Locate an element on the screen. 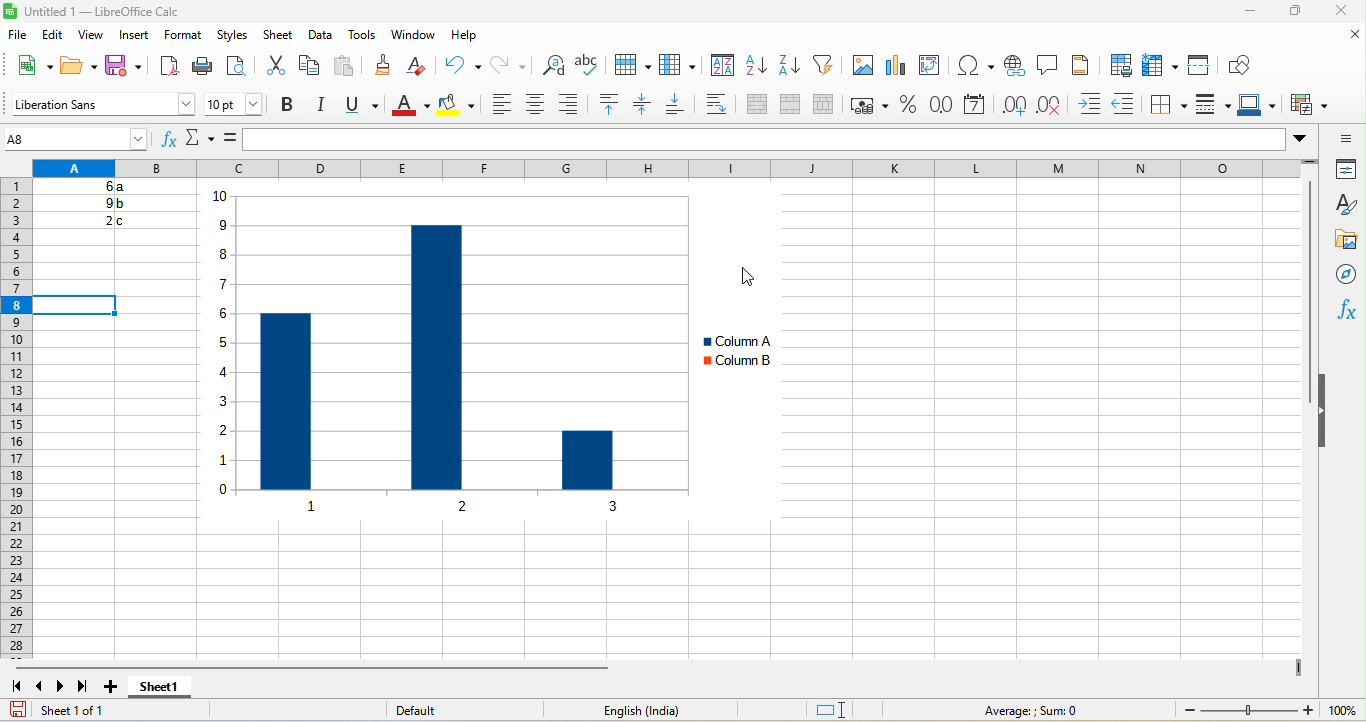  horizontal scroll bar is located at coordinates (326, 667).